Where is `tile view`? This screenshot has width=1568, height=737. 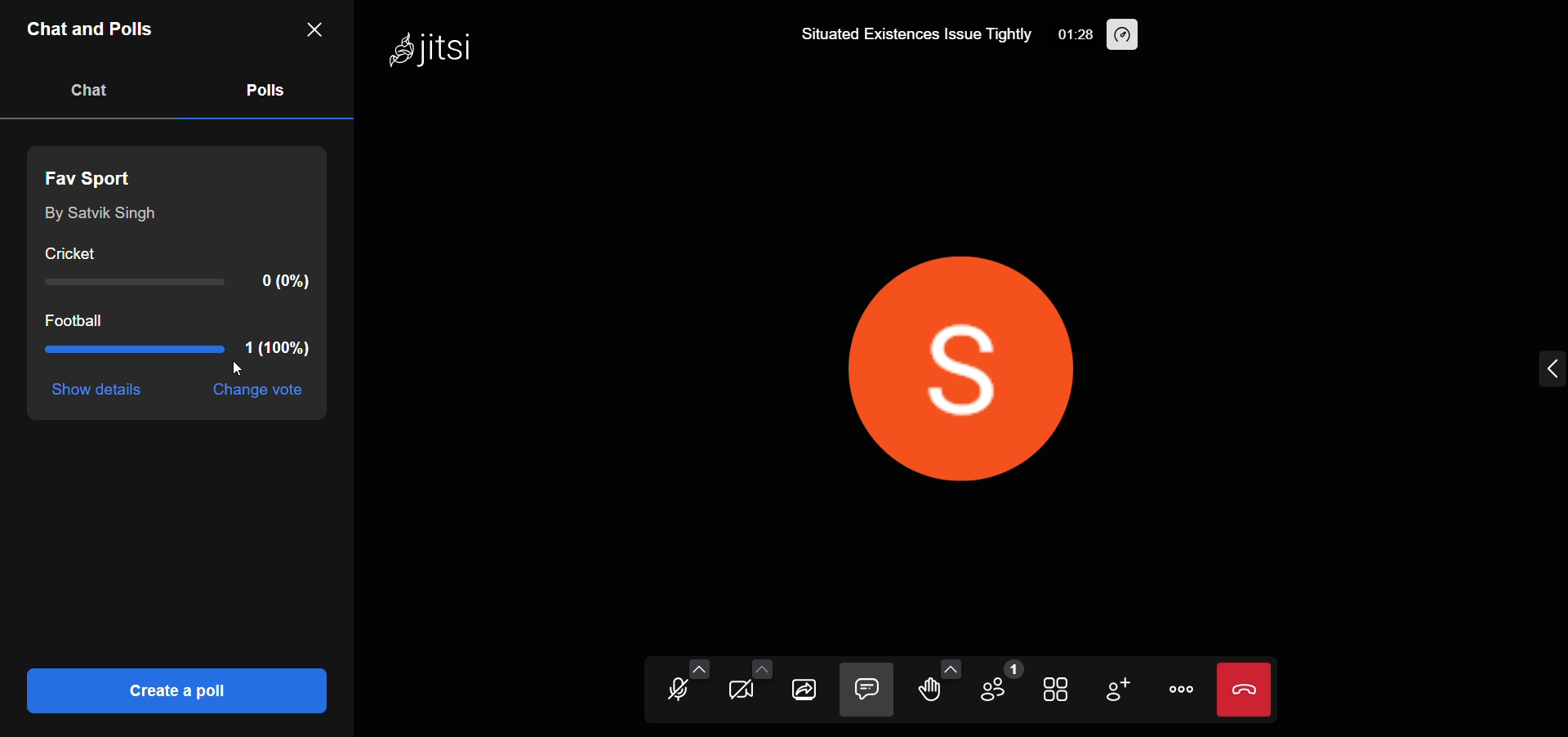
tile view is located at coordinates (1057, 689).